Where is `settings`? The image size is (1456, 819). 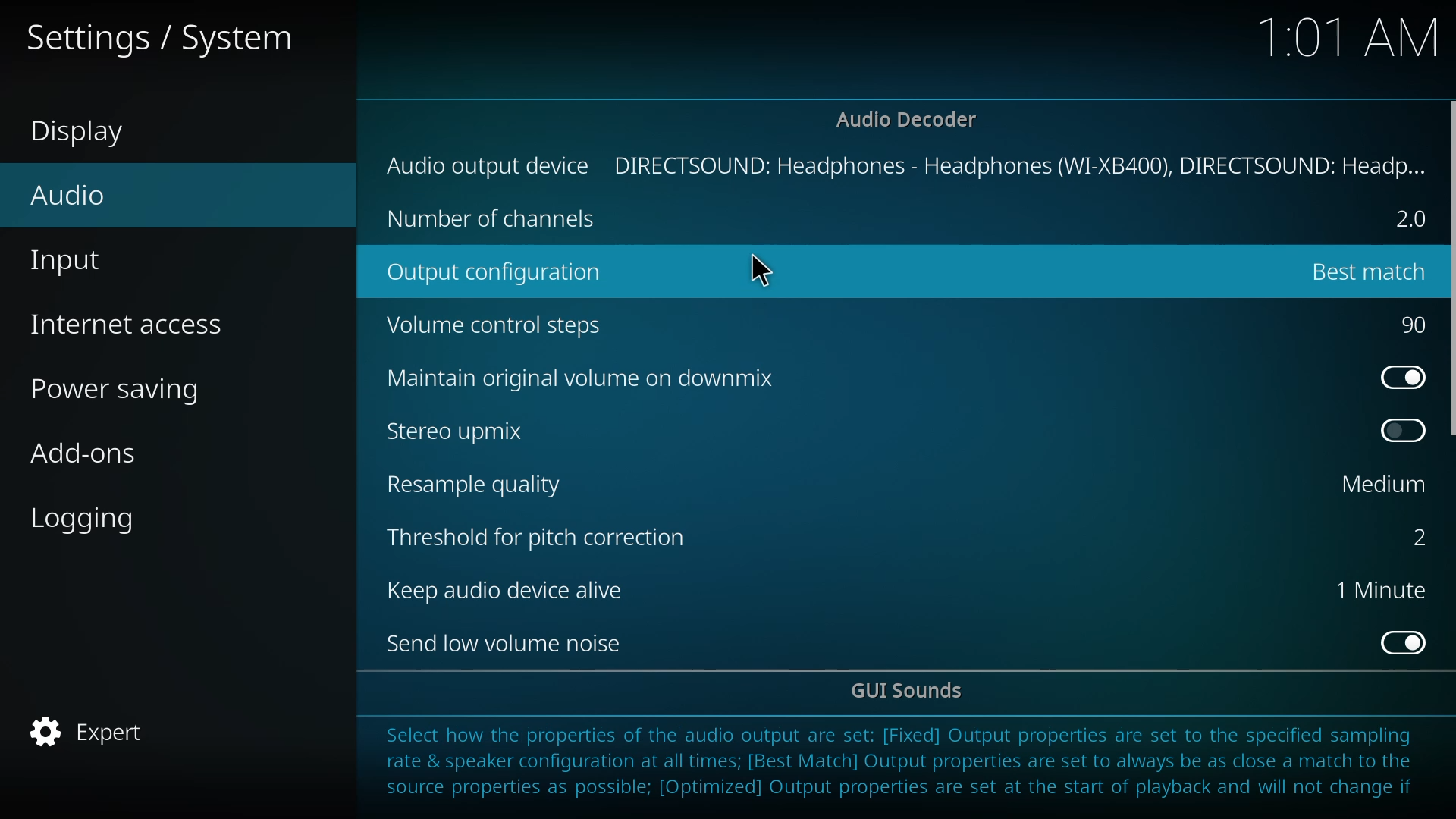 settings is located at coordinates (173, 39).